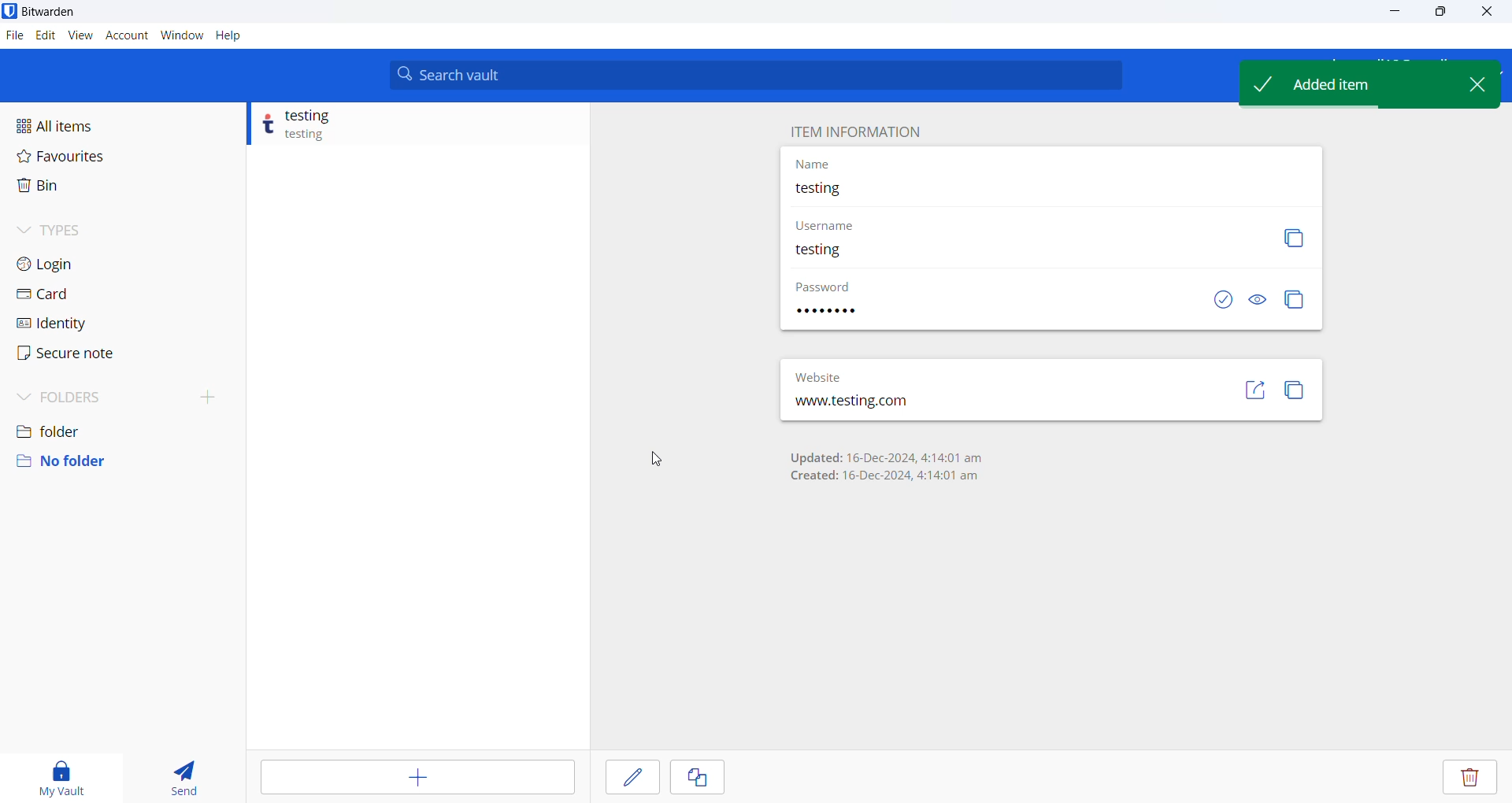 The image size is (1512, 803). What do you see at coordinates (1297, 395) in the screenshot?
I see `copy` at bounding box center [1297, 395].